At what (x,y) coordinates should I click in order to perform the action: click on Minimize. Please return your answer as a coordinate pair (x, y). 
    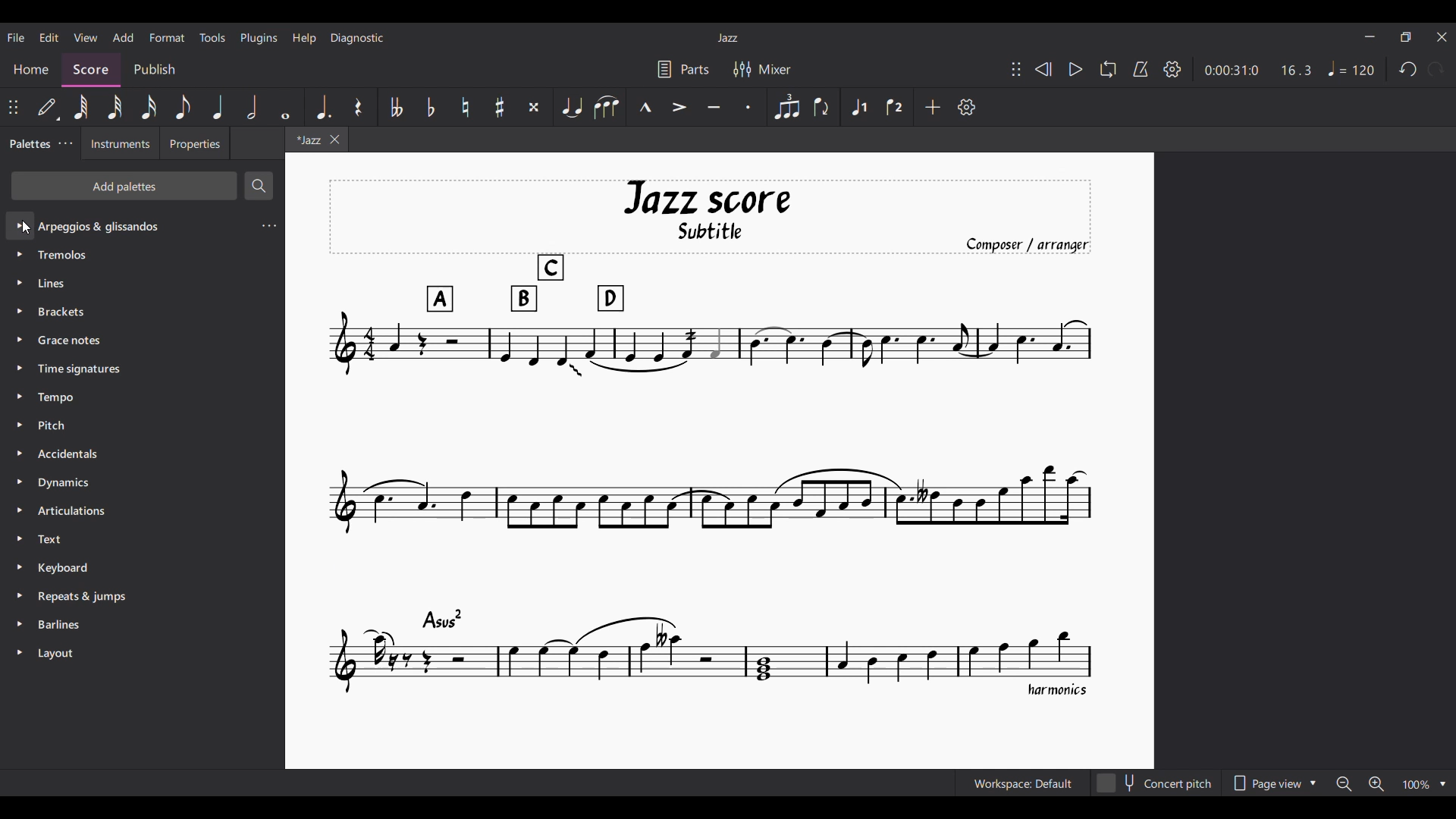
    Looking at the image, I should click on (1370, 36).